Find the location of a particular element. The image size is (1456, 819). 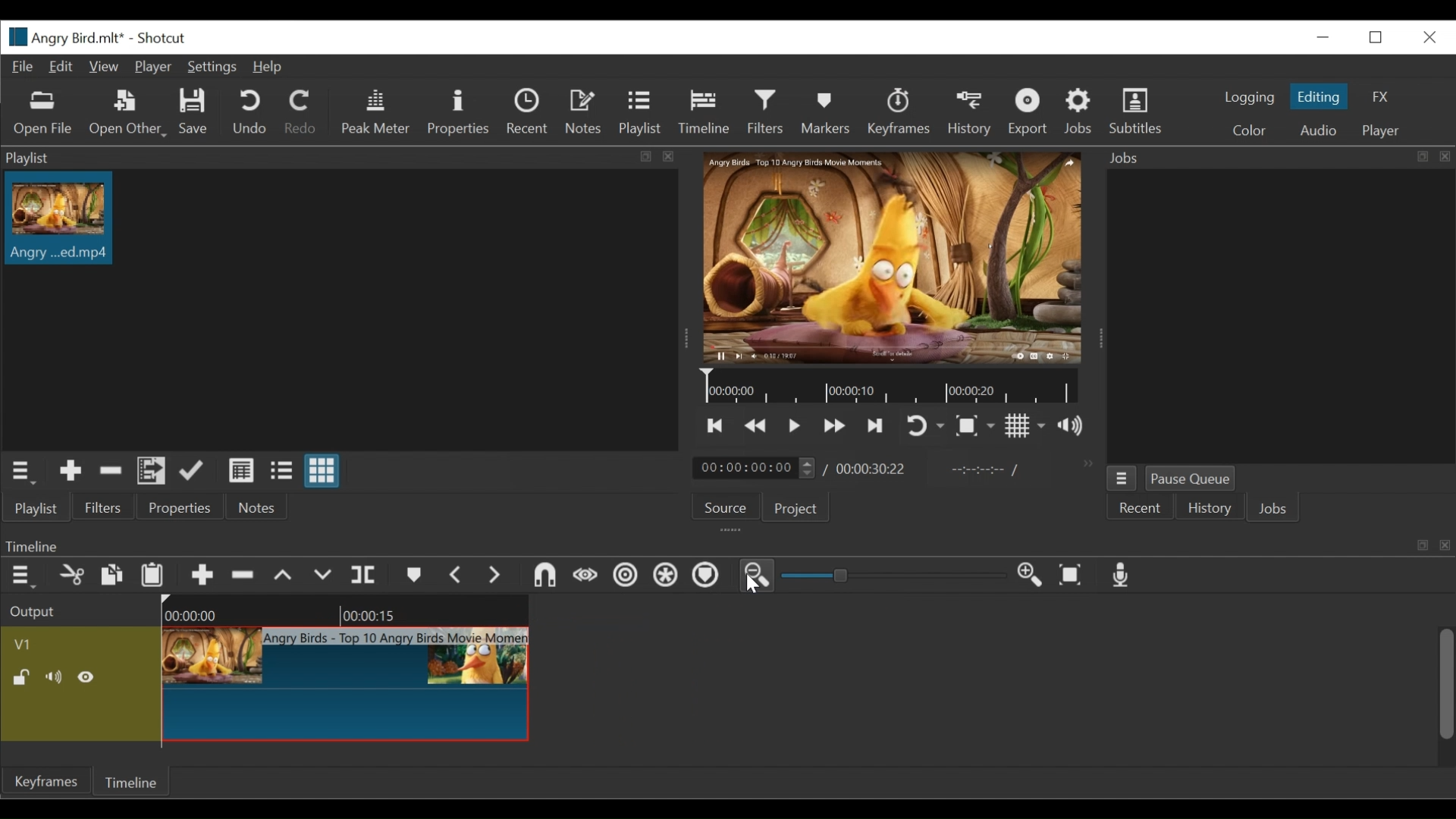

Add the playlist to is located at coordinates (152, 471).